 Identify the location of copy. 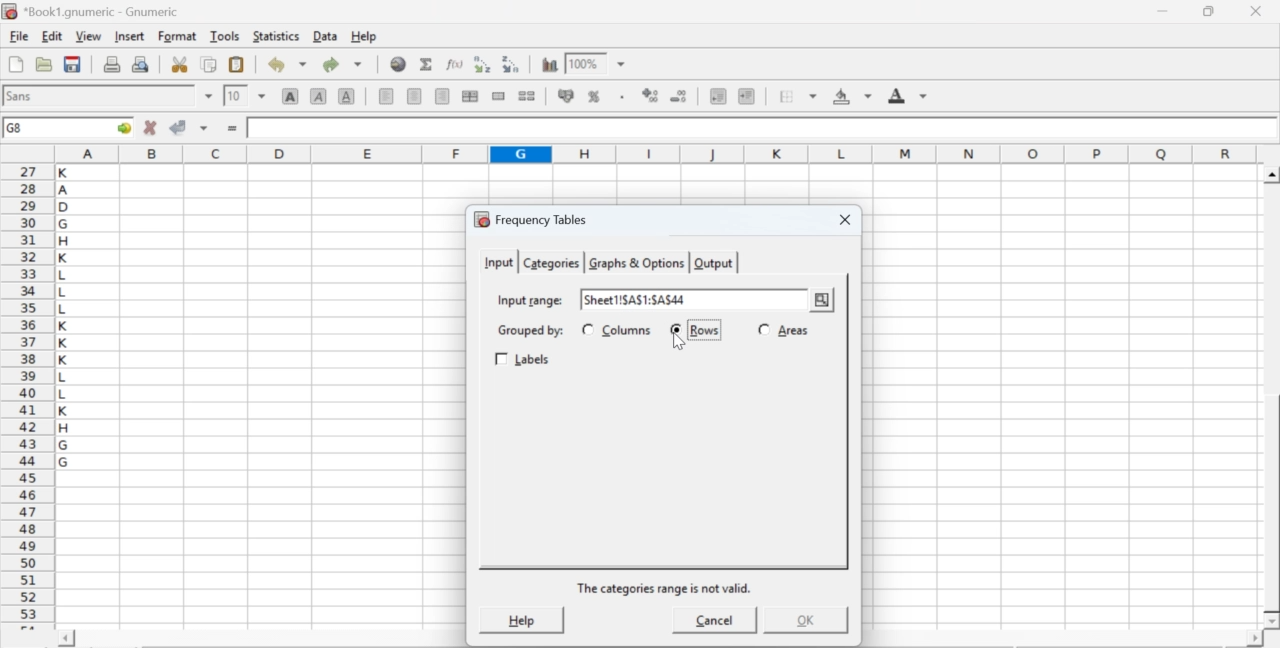
(210, 64).